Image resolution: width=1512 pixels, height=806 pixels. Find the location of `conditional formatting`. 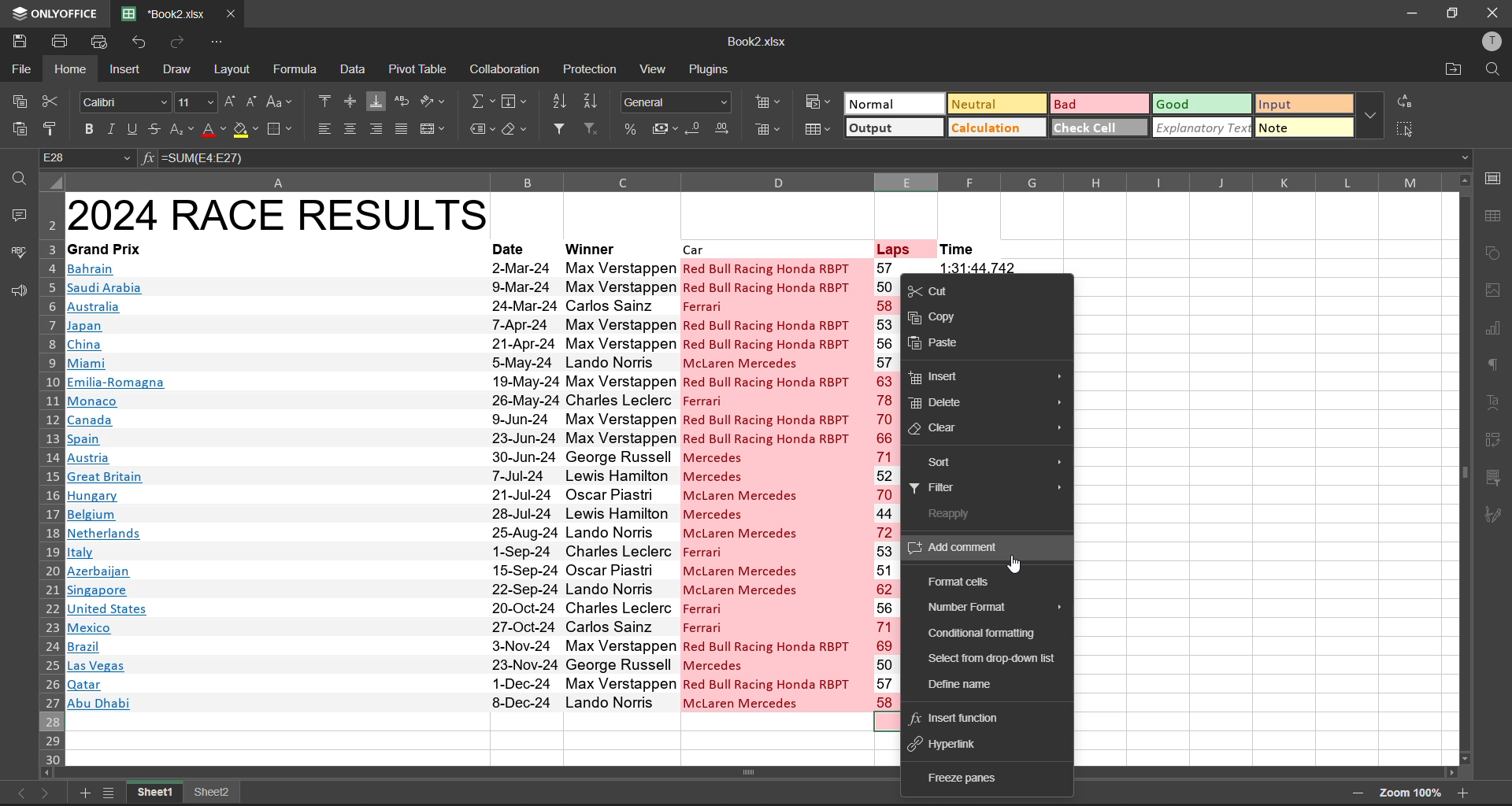

conditional formatting is located at coordinates (987, 634).